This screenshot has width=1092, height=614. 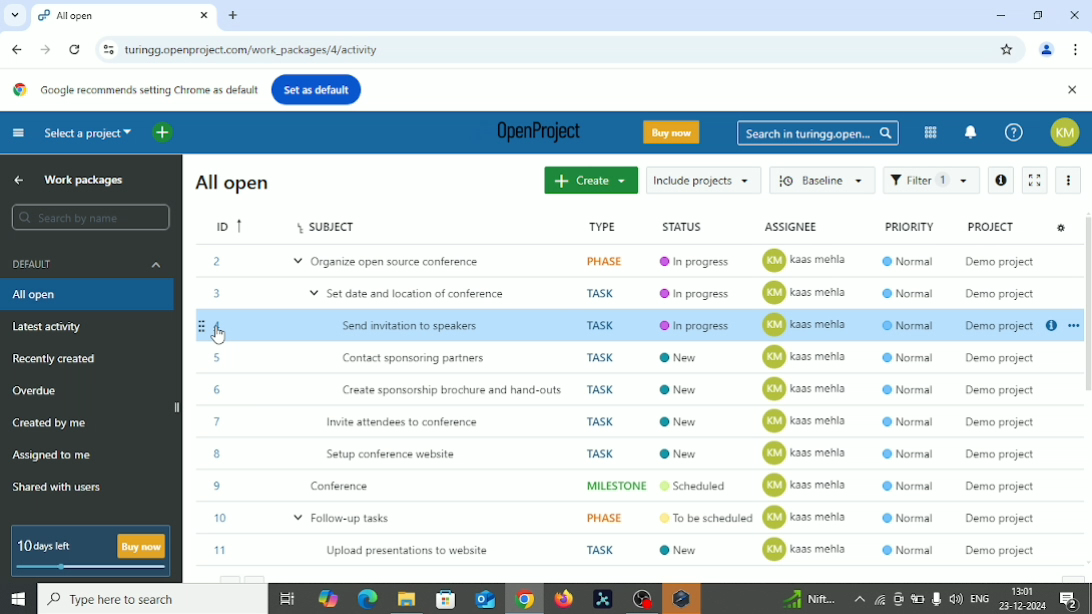 I want to click on OpenProject, so click(x=534, y=134).